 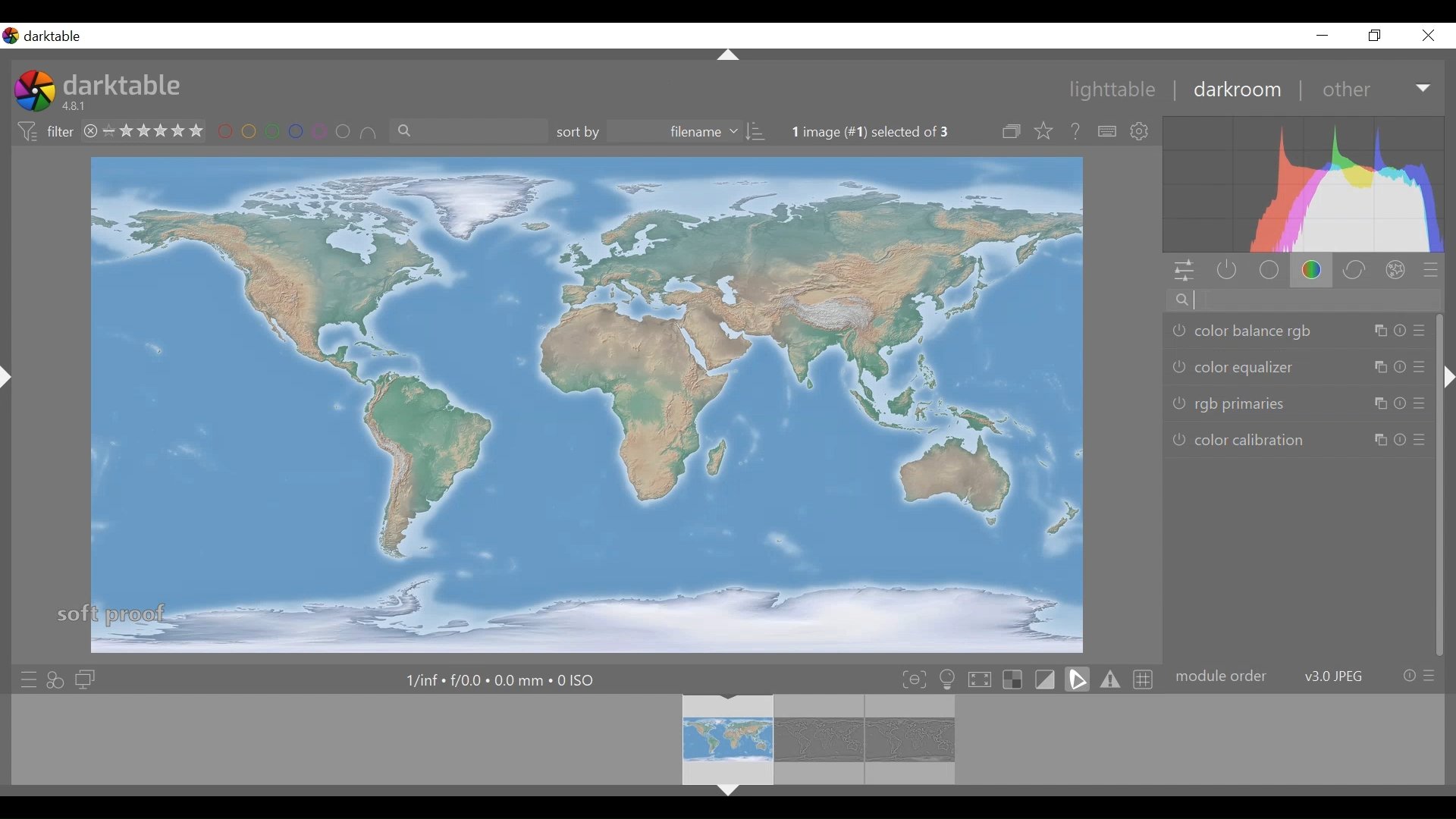 What do you see at coordinates (726, 54) in the screenshot?
I see `` at bounding box center [726, 54].